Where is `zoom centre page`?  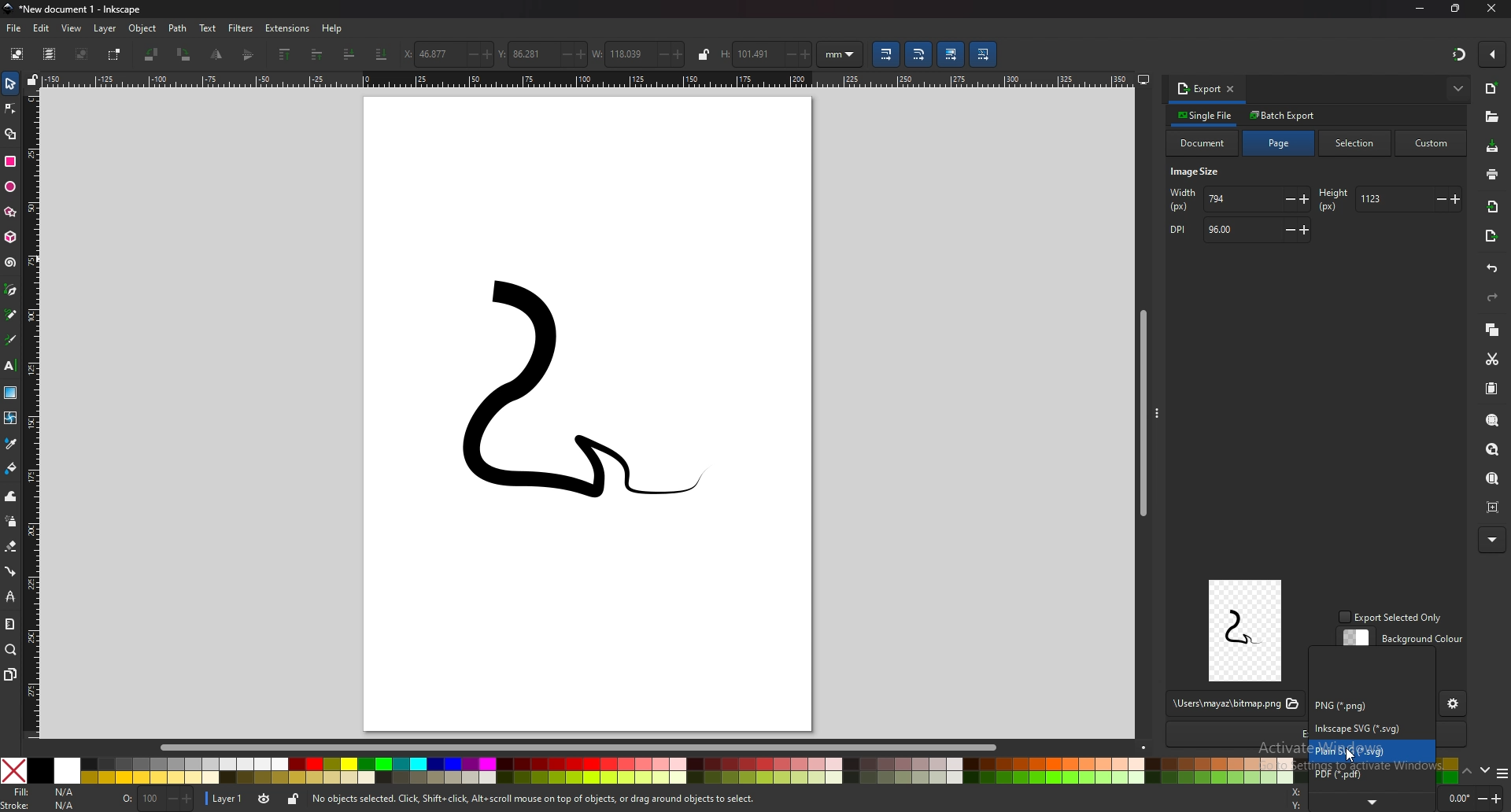
zoom centre page is located at coordinates (1494, 507).